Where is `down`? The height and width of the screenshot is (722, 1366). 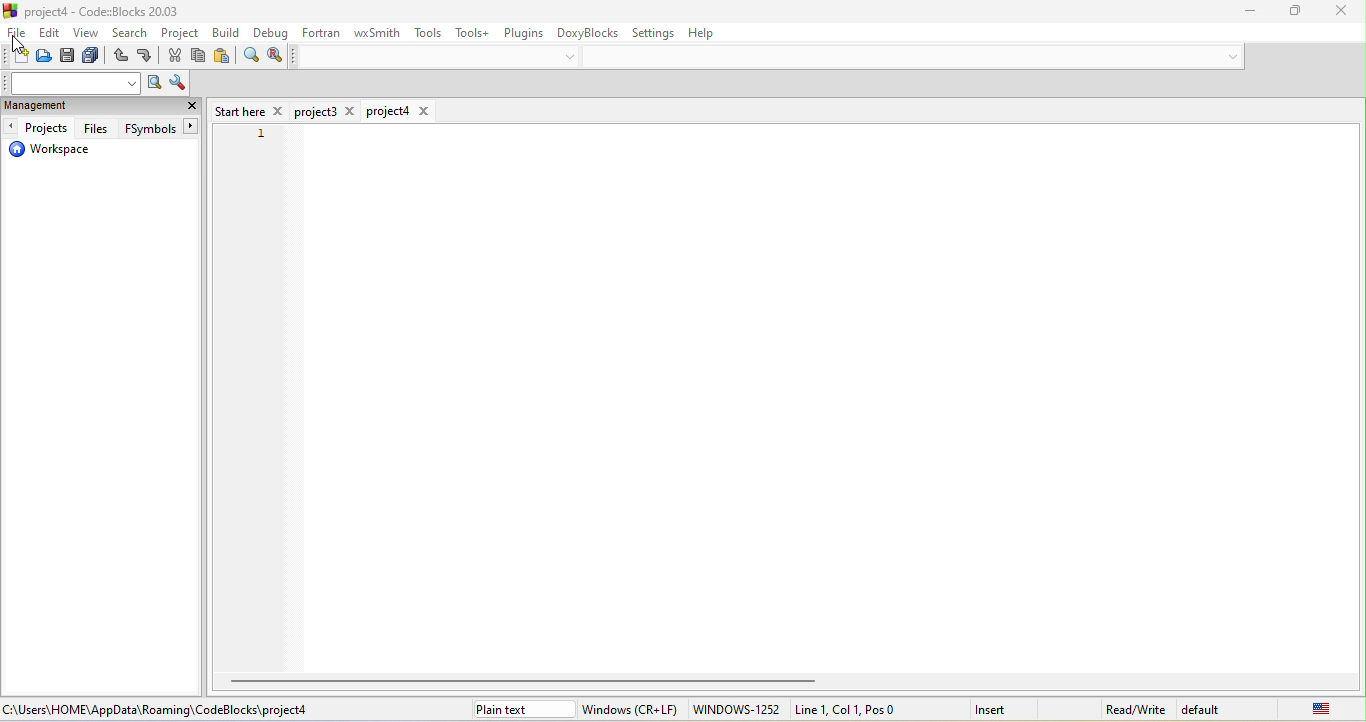
down is located at coordinates (1233, 55).